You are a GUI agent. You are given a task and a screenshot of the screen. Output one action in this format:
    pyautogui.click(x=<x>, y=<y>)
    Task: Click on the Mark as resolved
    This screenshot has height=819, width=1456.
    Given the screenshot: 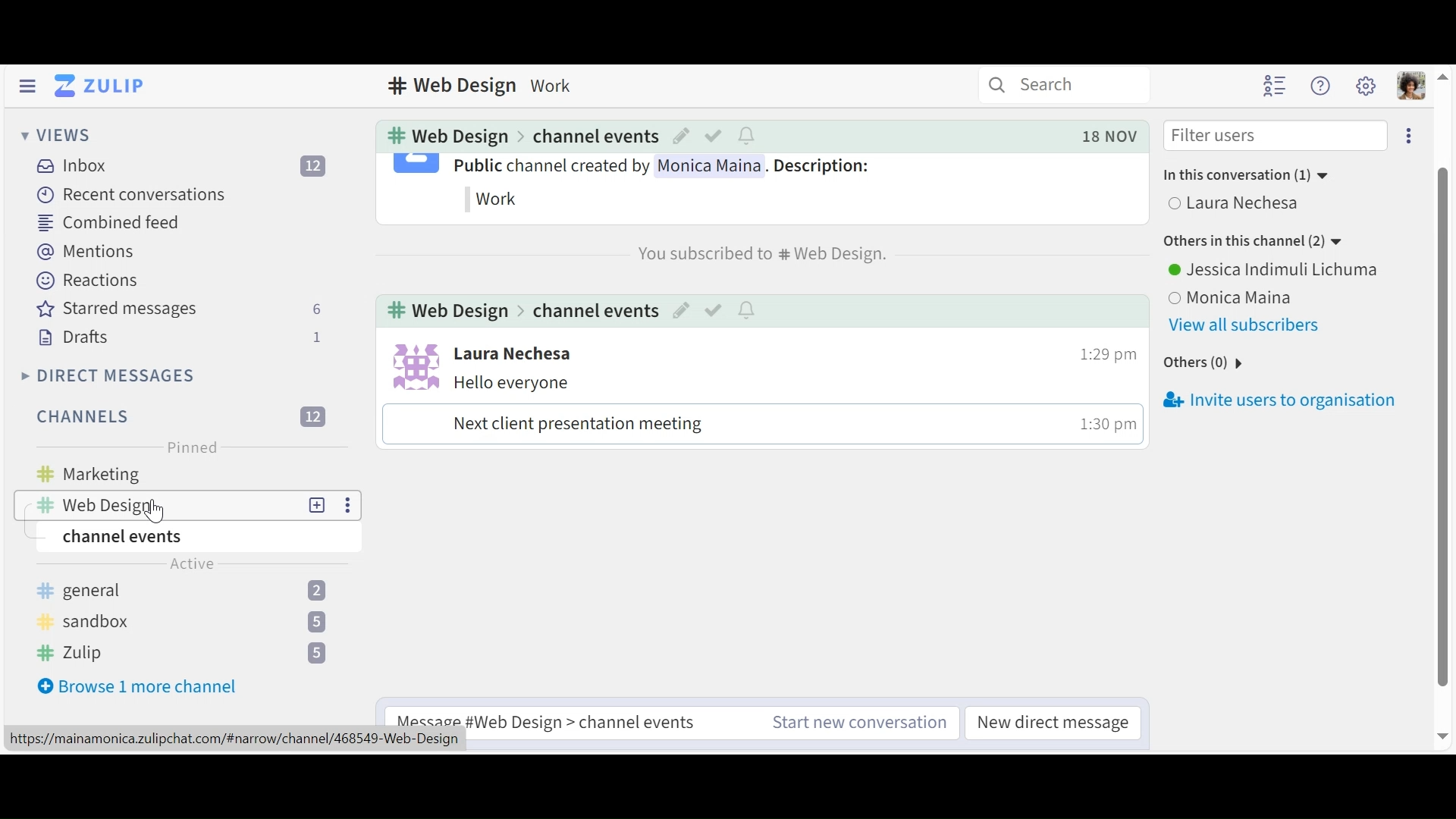 What is the action you would take?
    pyautogui.click(x=711, y=309)
    